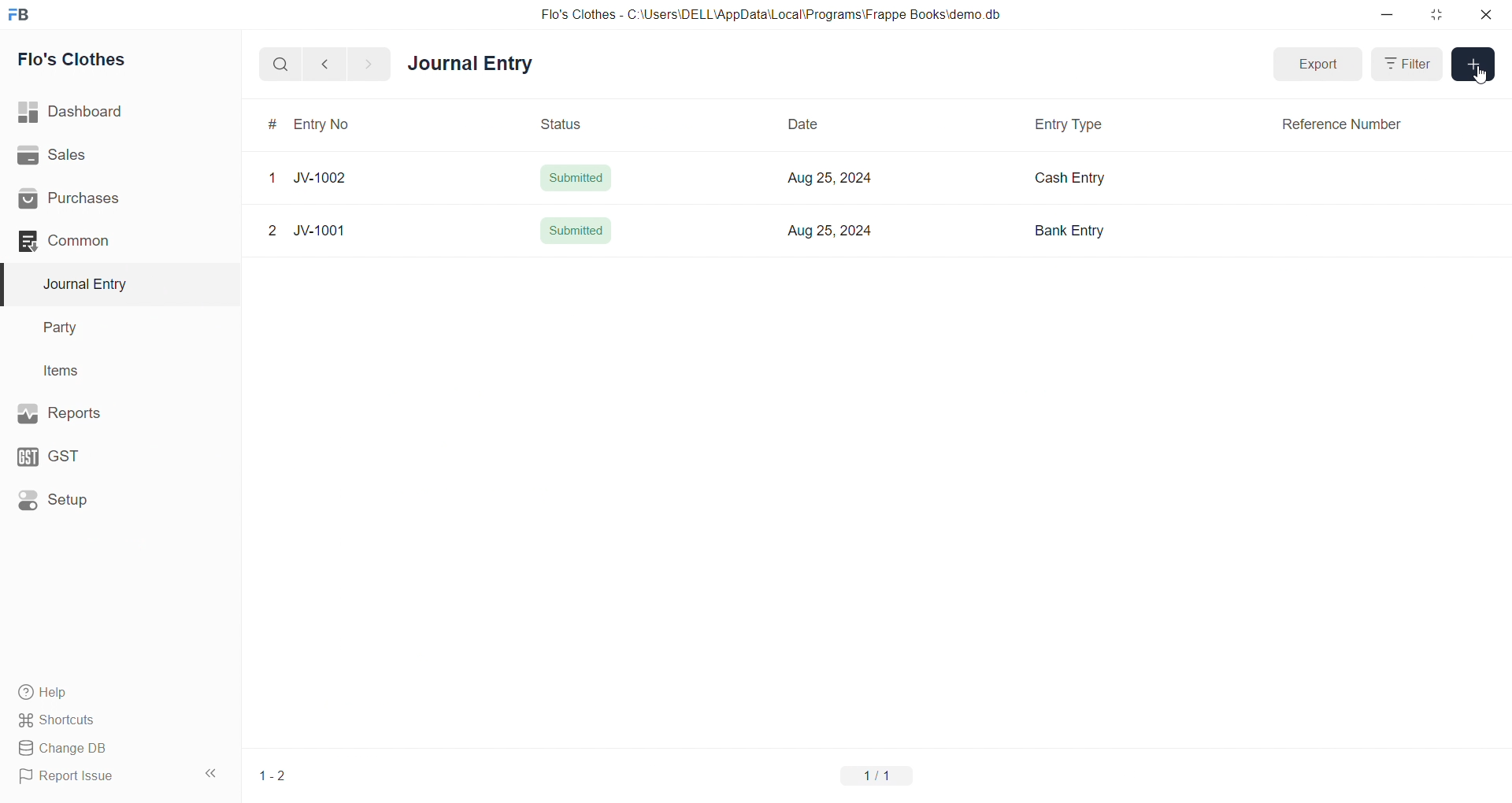 The height and width of the screenshot is (803, 1512). What do you see at coordinates (1482, 77) in the screenshot?
I see `cursor` at bounding box center [1482, 77].